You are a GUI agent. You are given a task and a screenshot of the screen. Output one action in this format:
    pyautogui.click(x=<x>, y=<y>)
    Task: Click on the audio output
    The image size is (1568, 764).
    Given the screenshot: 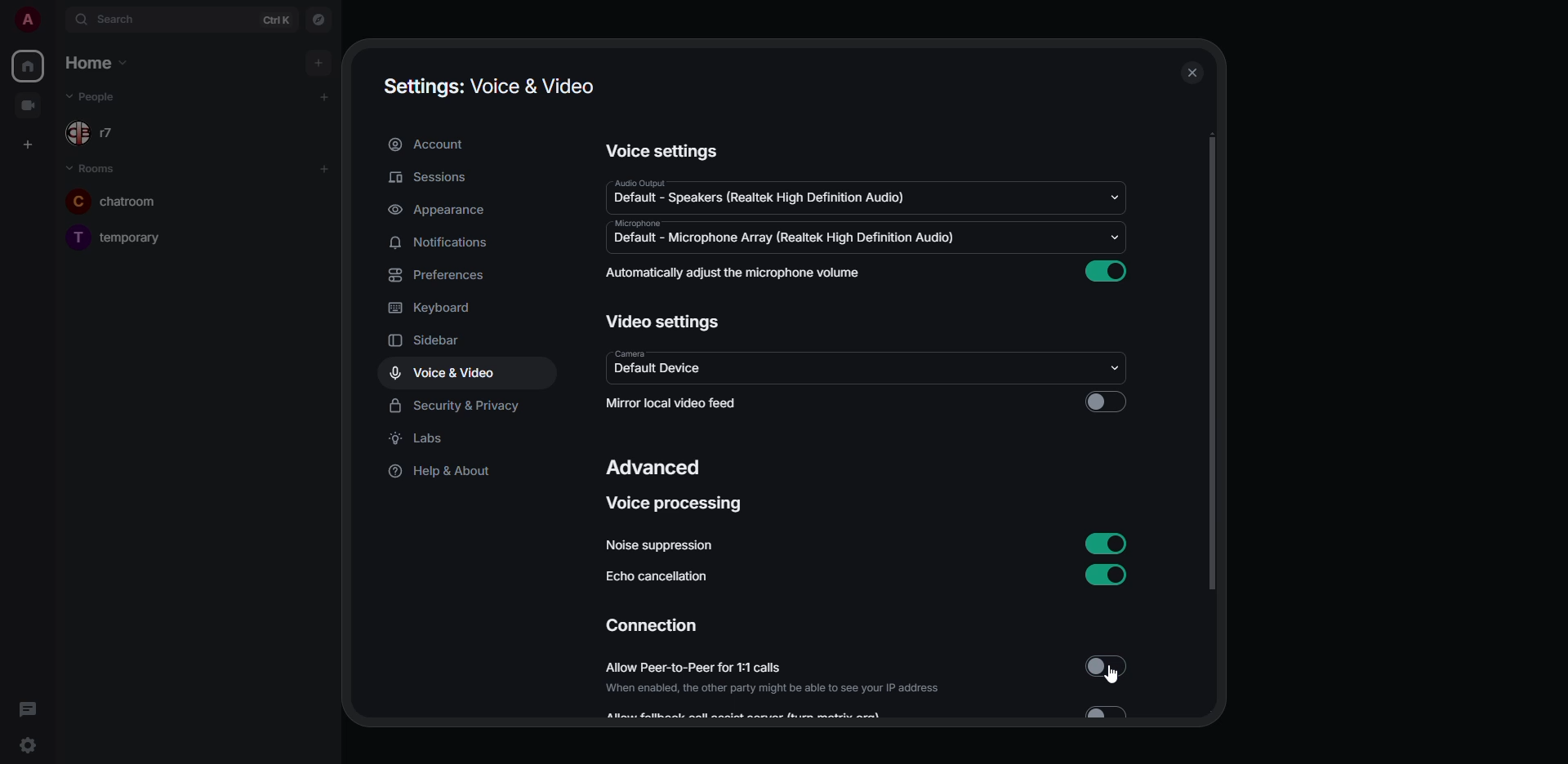 What is the action you would take?
    pyautogui.click(x=640, y=180)
    